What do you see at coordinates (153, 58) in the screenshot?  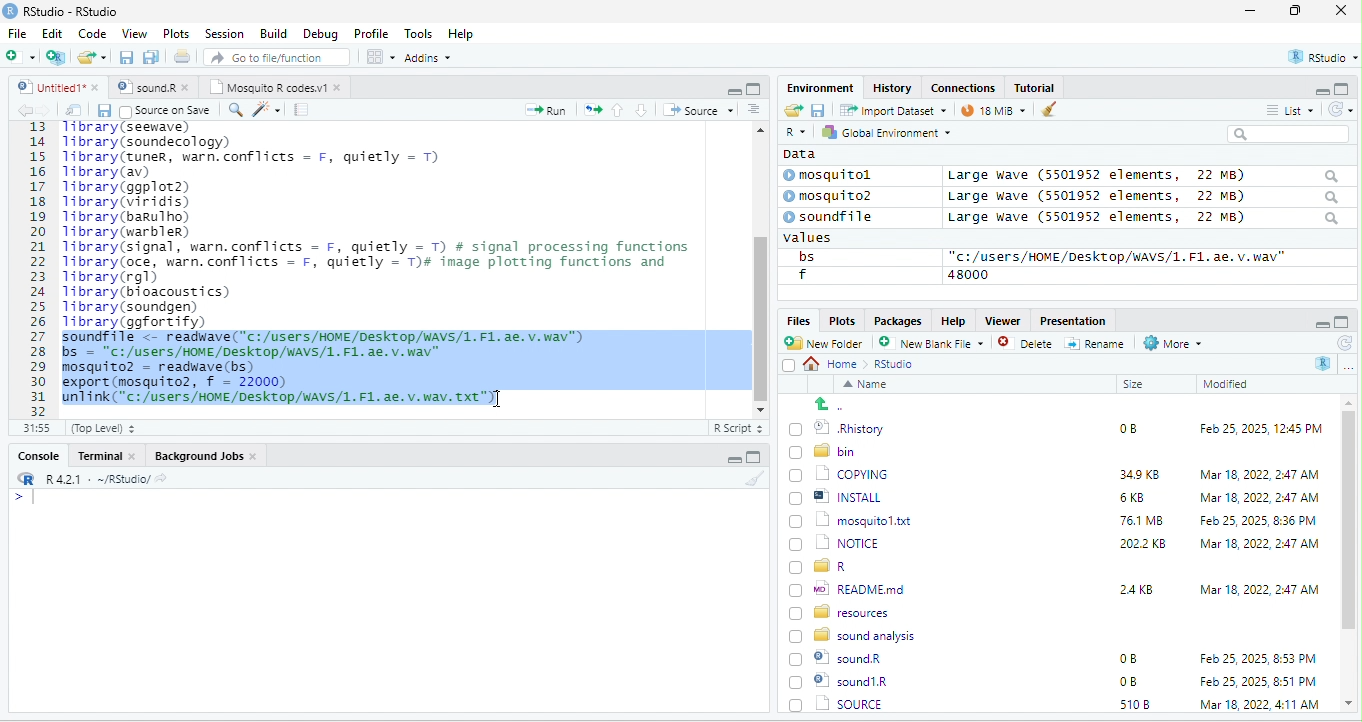 I see `save as` at bounding box center [153, 58].